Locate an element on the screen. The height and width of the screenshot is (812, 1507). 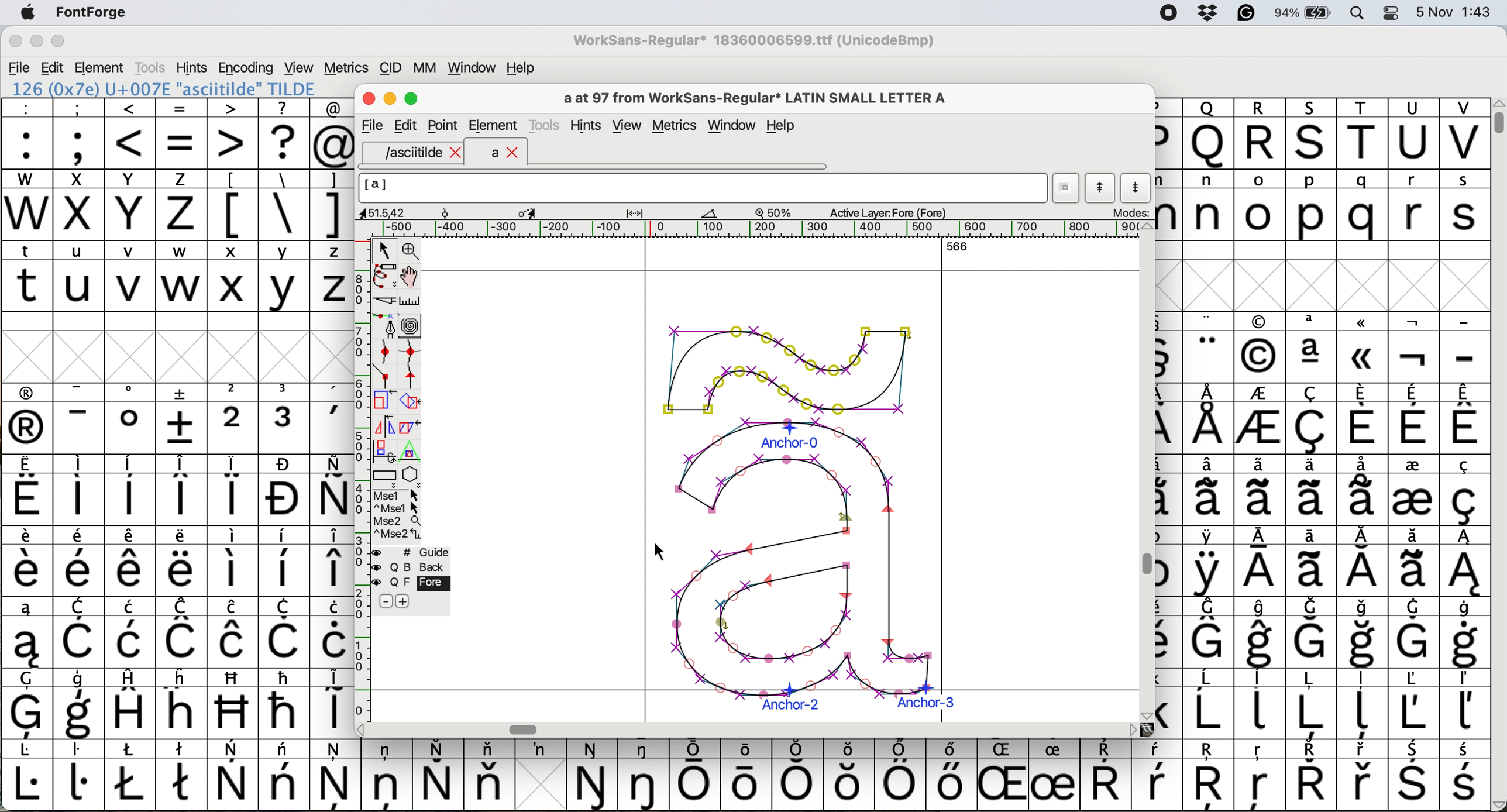
symbol is located at coordinates (1310, 775).